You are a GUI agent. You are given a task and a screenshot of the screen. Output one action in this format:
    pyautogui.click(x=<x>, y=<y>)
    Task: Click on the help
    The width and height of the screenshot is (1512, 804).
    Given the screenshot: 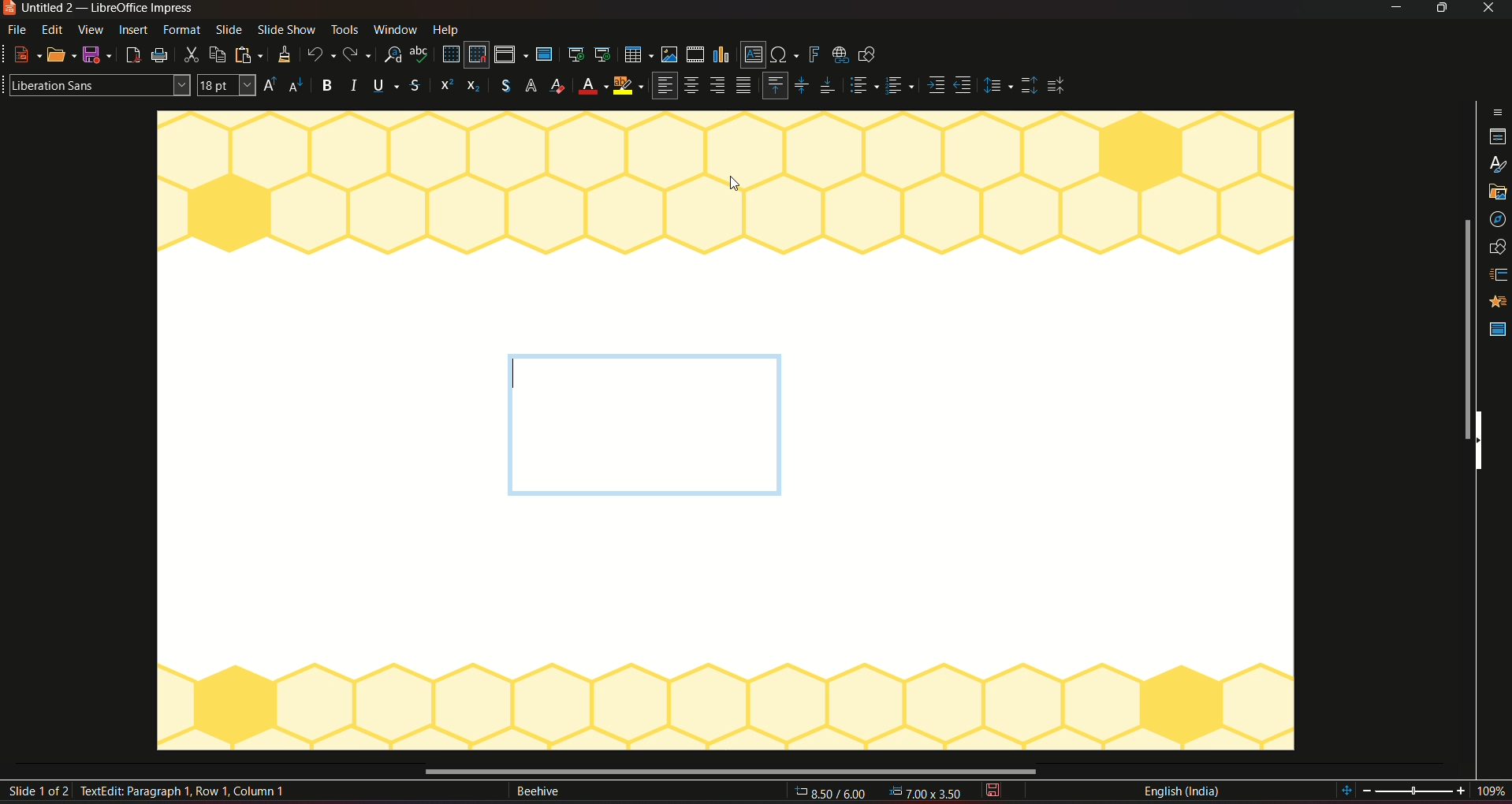 What is the action you would take?
    pyautogui.click(x=448, y=28)
    